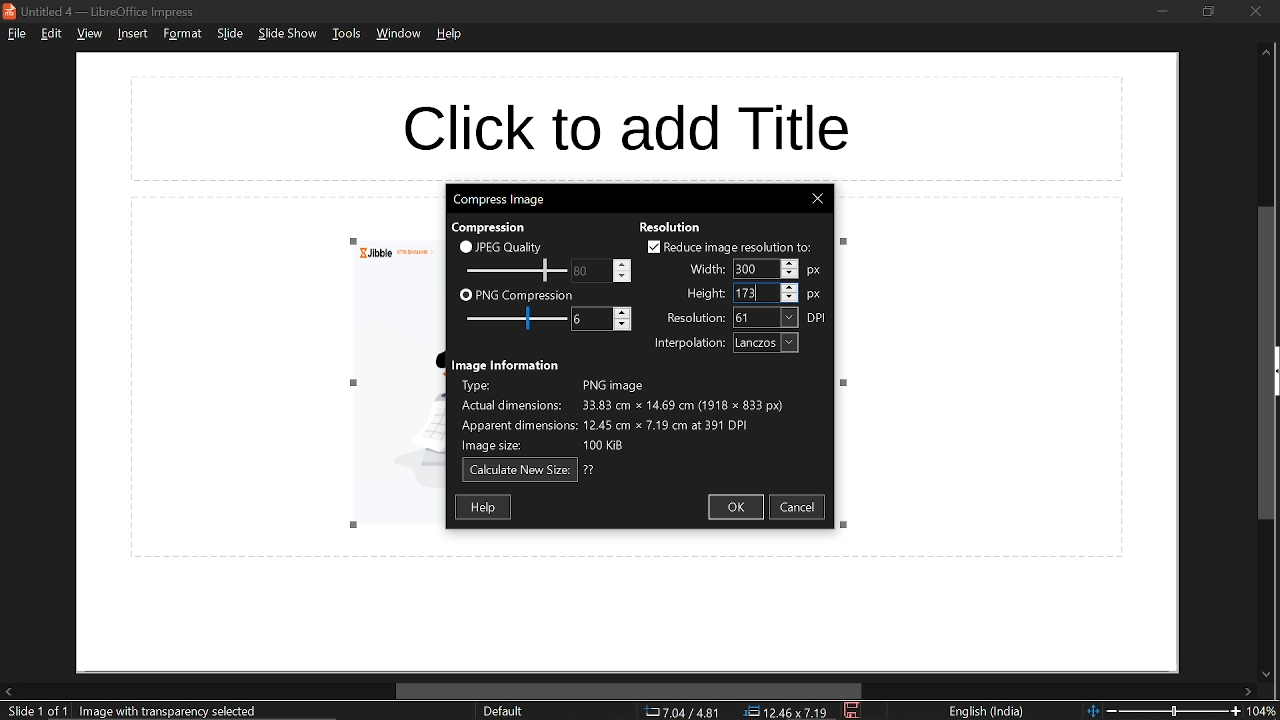  Describe the element at coordinates (182, 34) in the screenshot. I see `format` at that location.